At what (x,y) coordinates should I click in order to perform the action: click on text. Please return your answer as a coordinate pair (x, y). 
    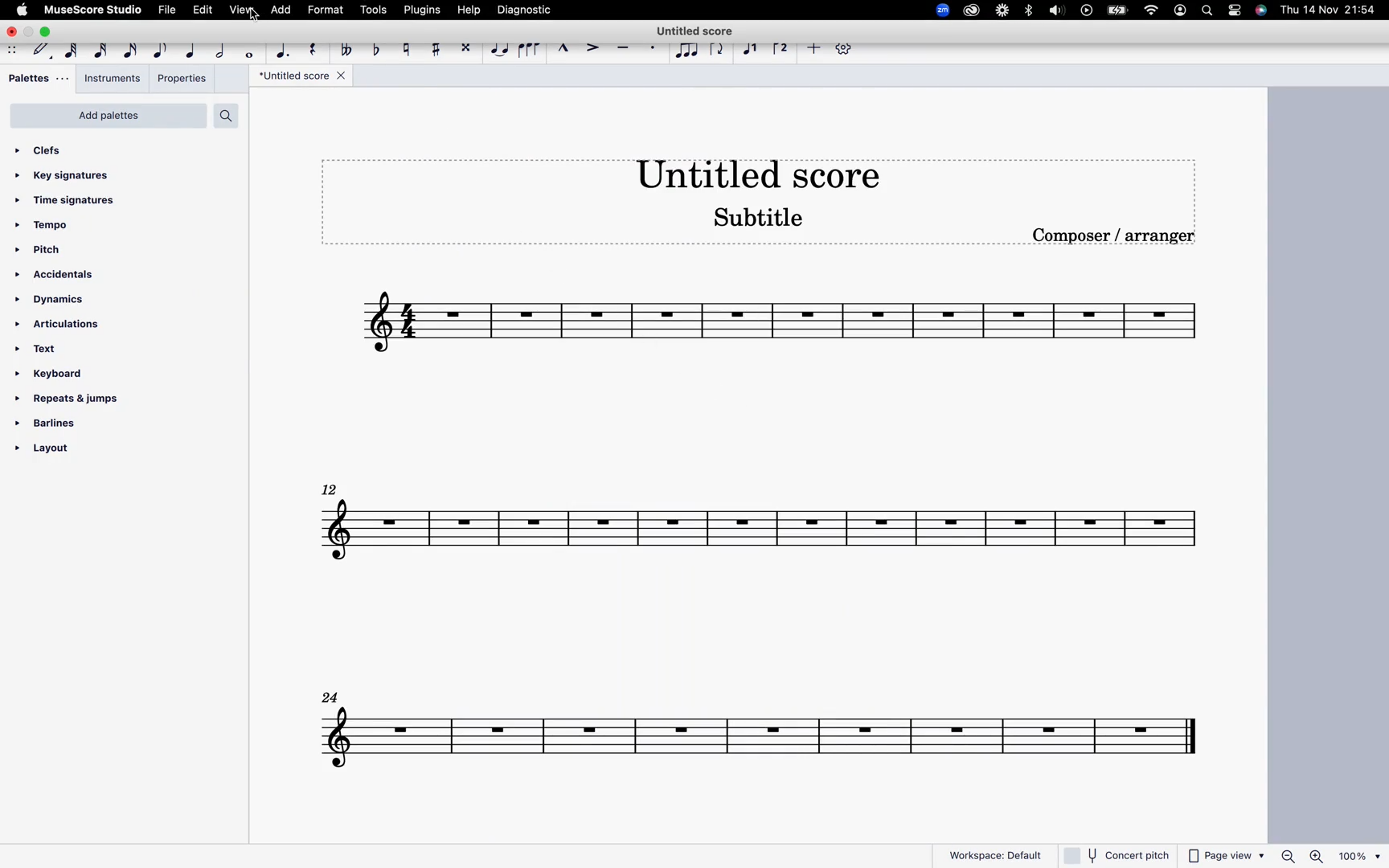
    Looking at the image, I should click on (46, 351).